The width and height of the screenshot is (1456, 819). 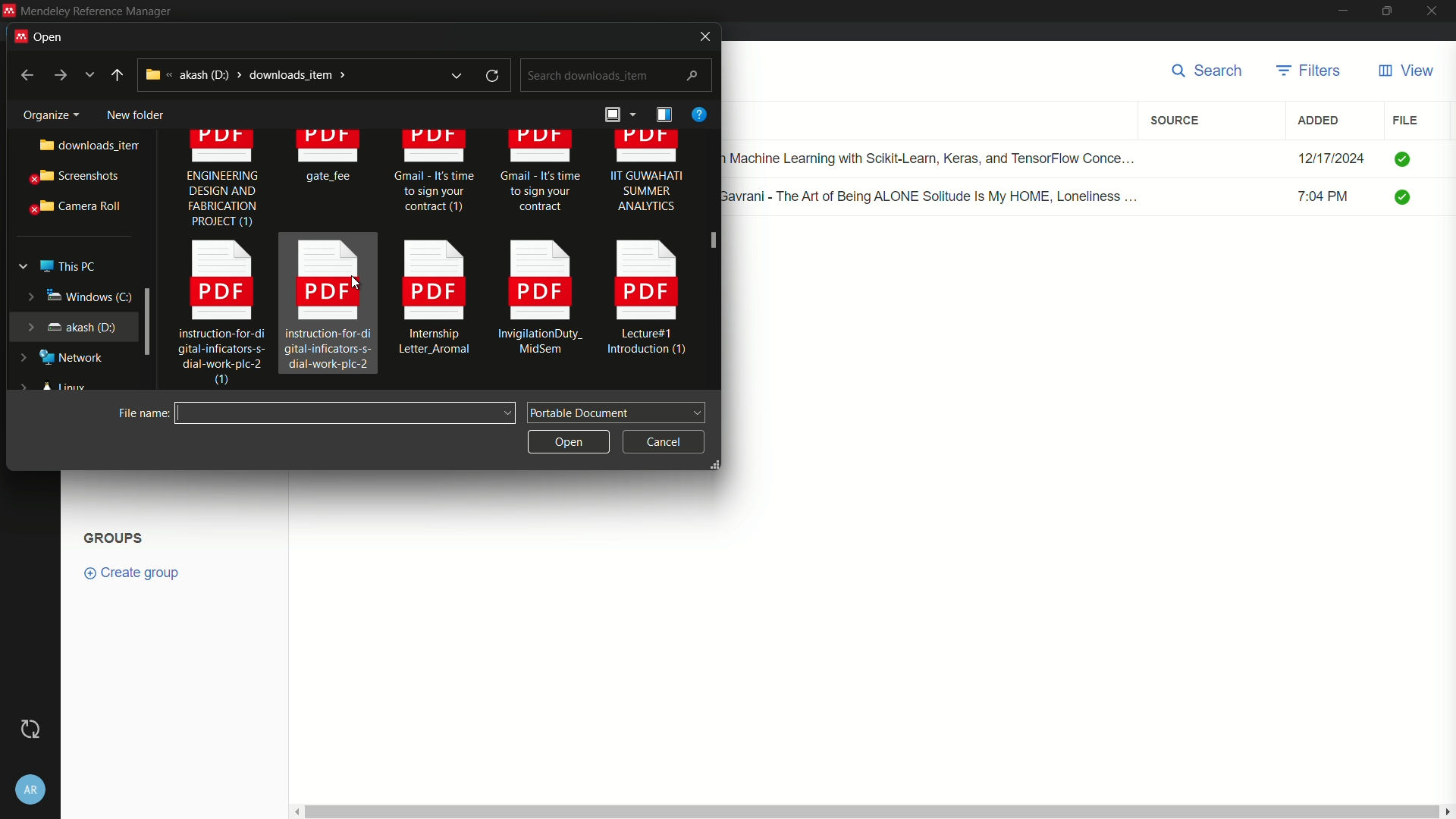 I want to click on instruction-for-di
gital-inficators-s-
dial-work-plc-2, so click(x=328, y=304).